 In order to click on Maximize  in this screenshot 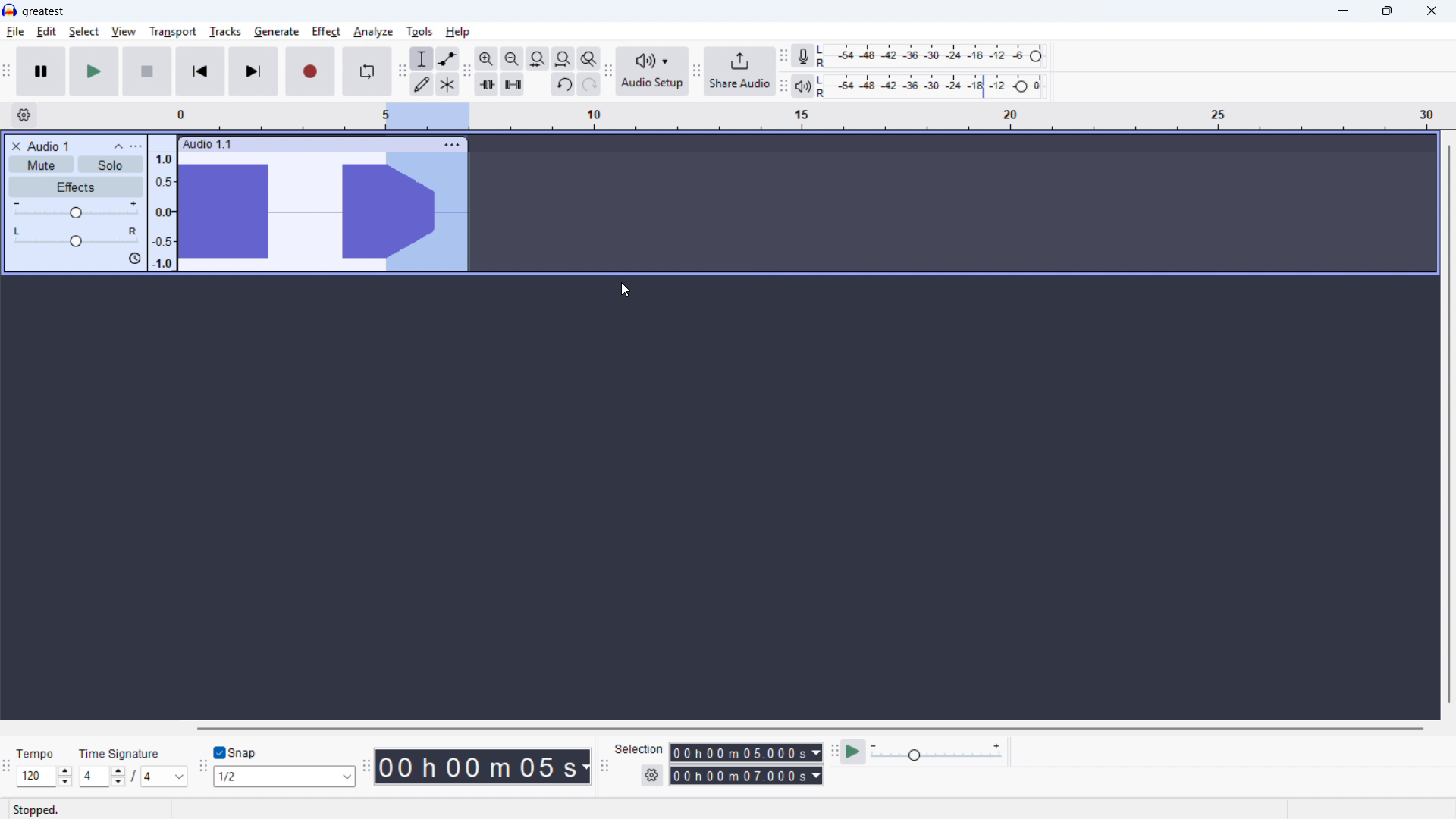, I will do `click(1387, 11)`.